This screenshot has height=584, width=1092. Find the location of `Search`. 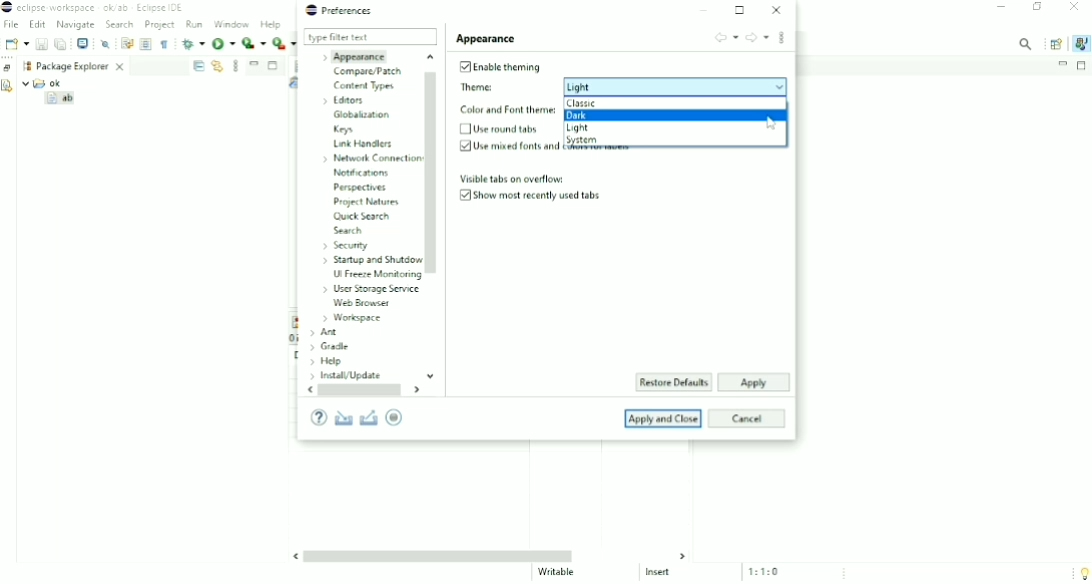

Search is located at coordinates (347, 231).